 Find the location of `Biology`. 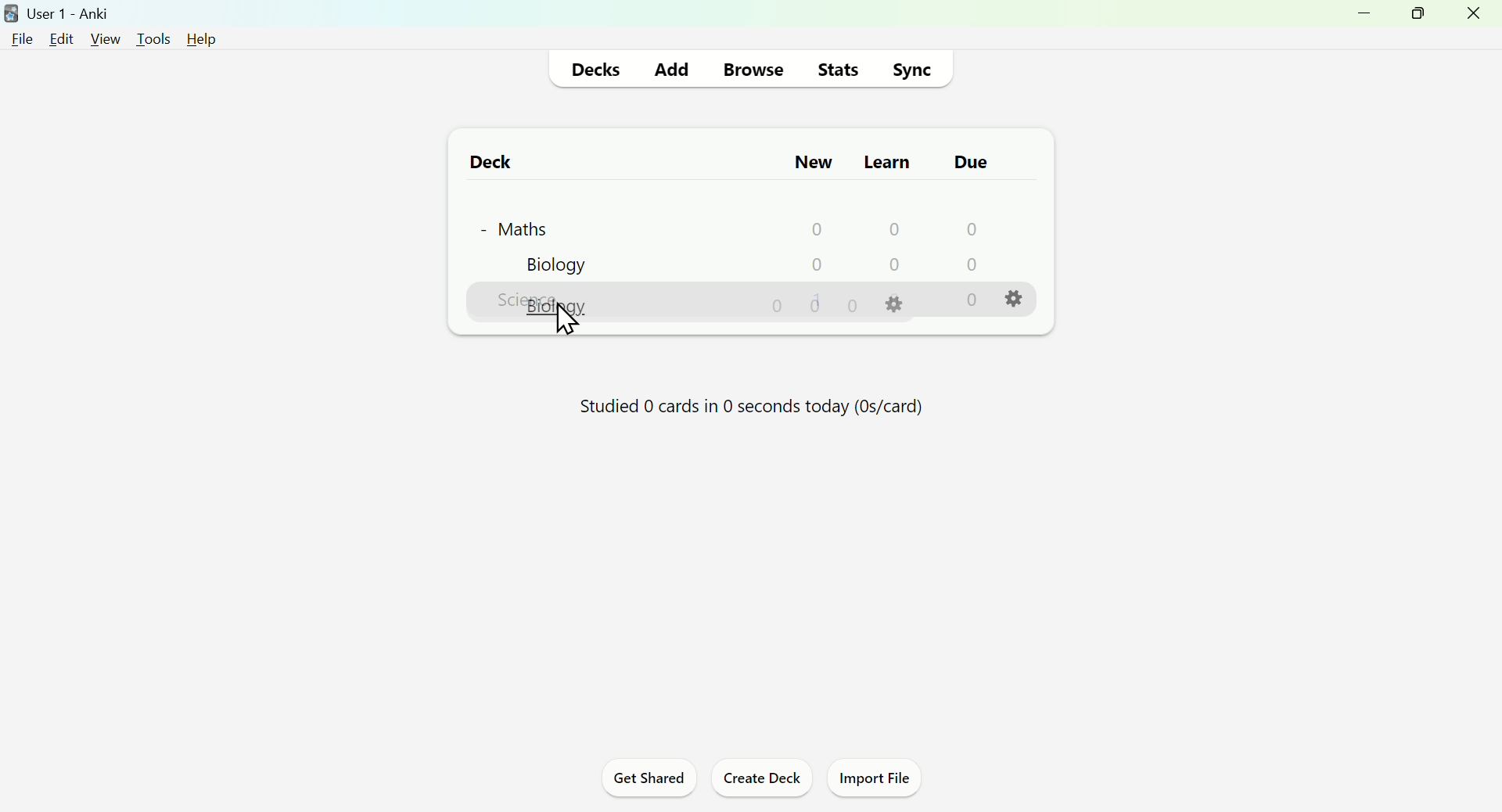

Biology is located at coordinates (560, 306).